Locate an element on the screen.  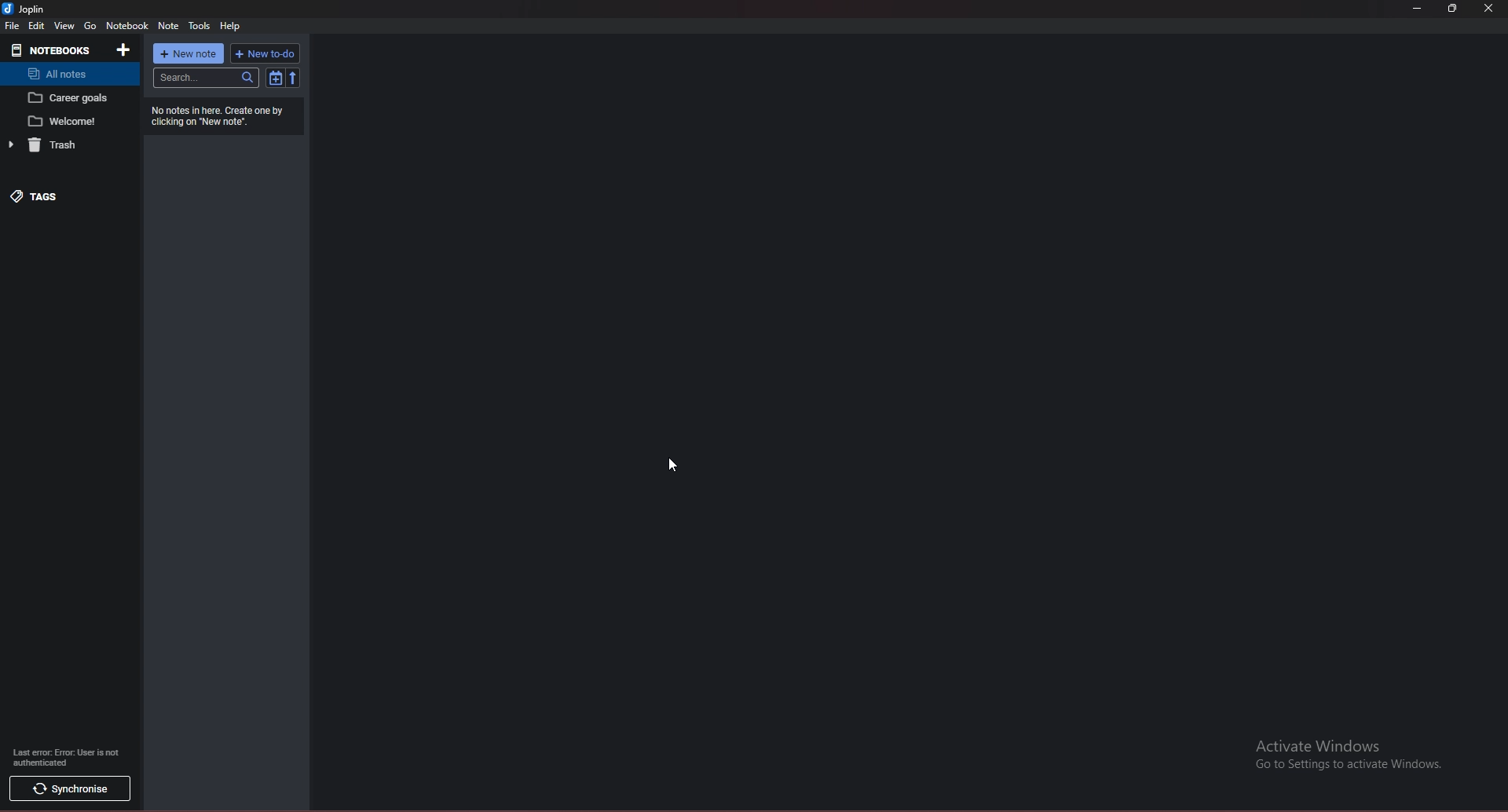
info is located at coordinates (64, 757).